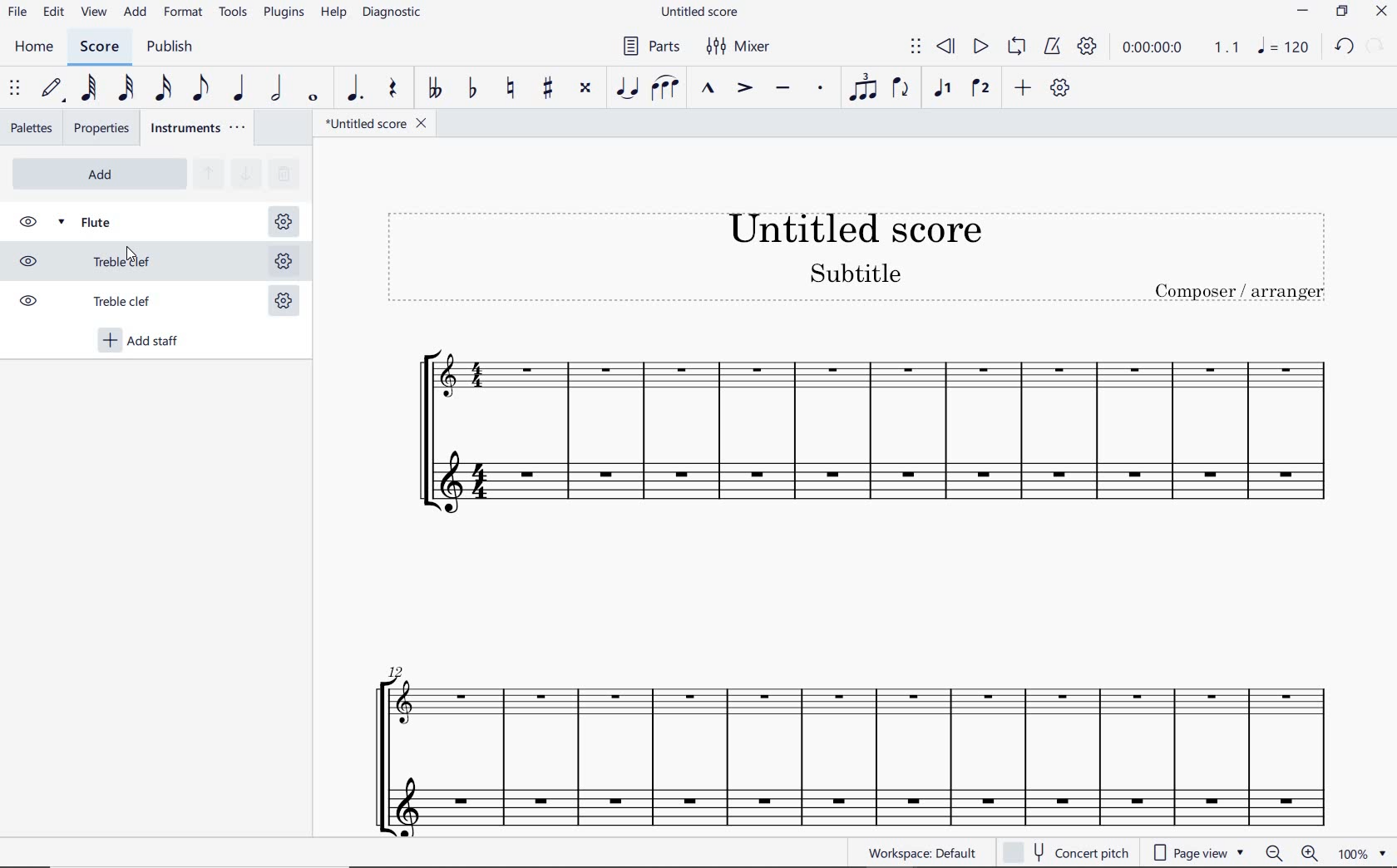  What do you see at coordinates (1197, 851) in the screenshot?
I see `page view` at bounding box center [1197, 851].